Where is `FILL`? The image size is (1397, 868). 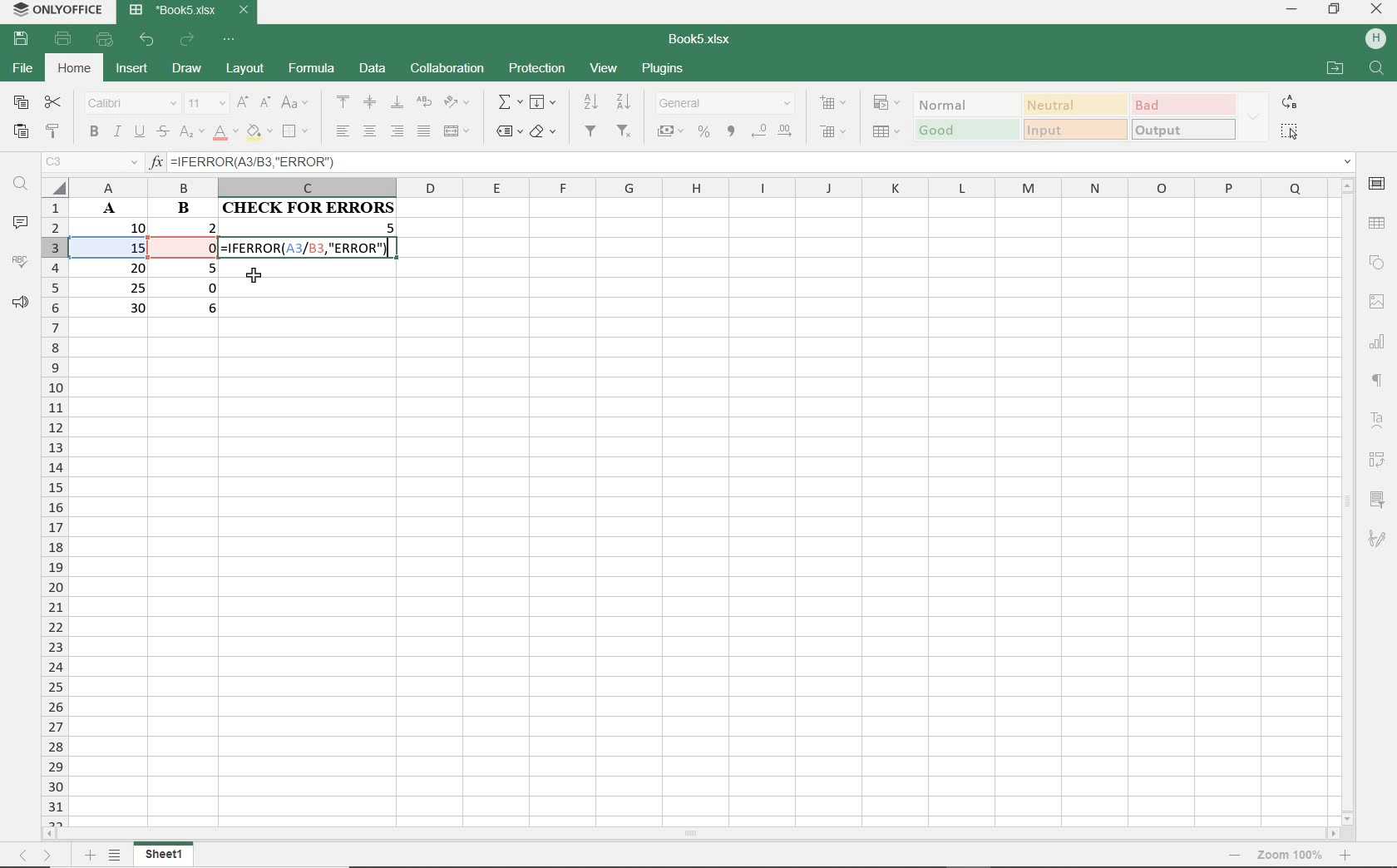 FILL is located at coordinates (541, 102).